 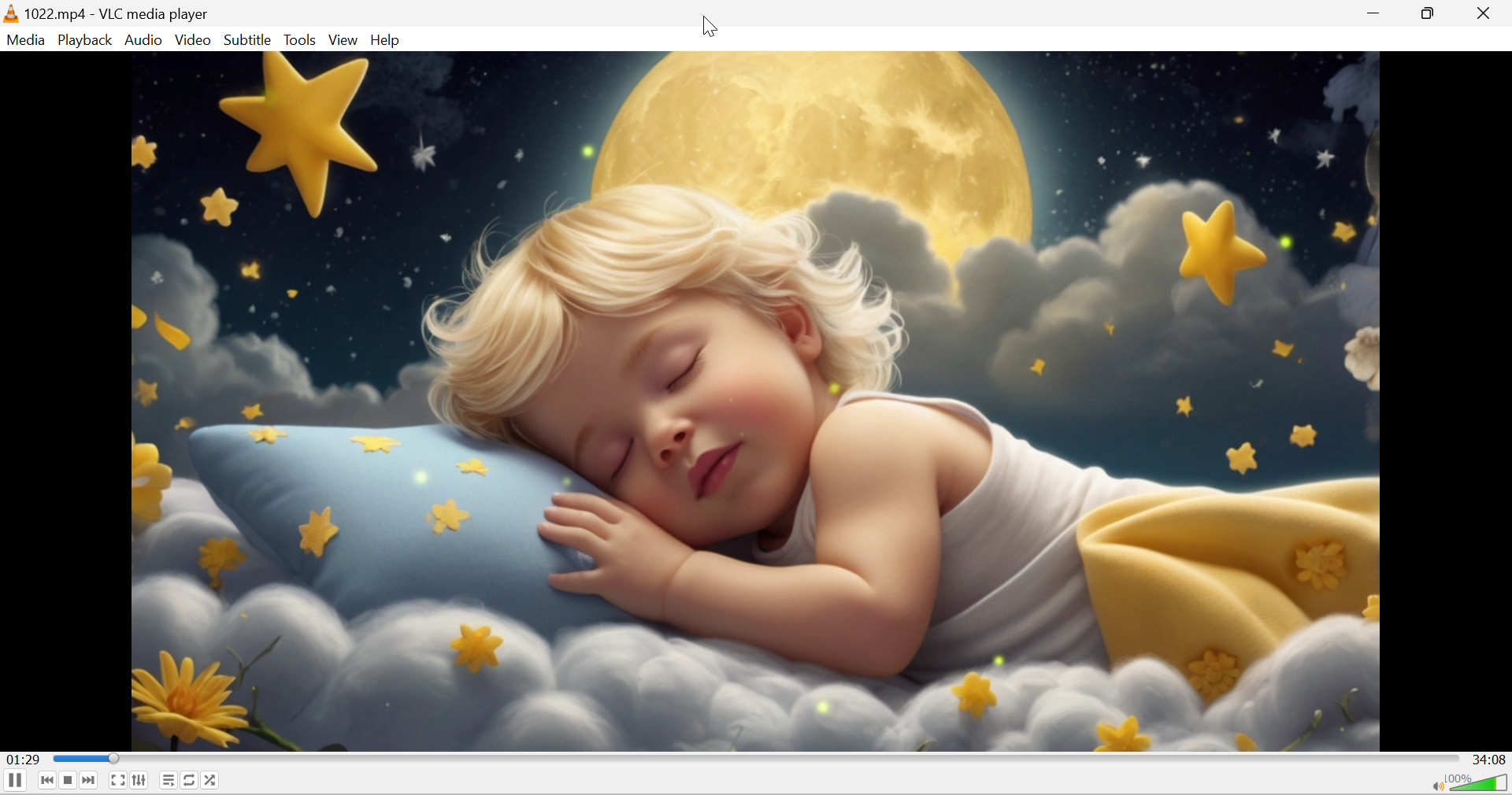 What do you see at coordinates (387, 40) in the screenshot?
I see `Help` at bounding box center [387, 40].